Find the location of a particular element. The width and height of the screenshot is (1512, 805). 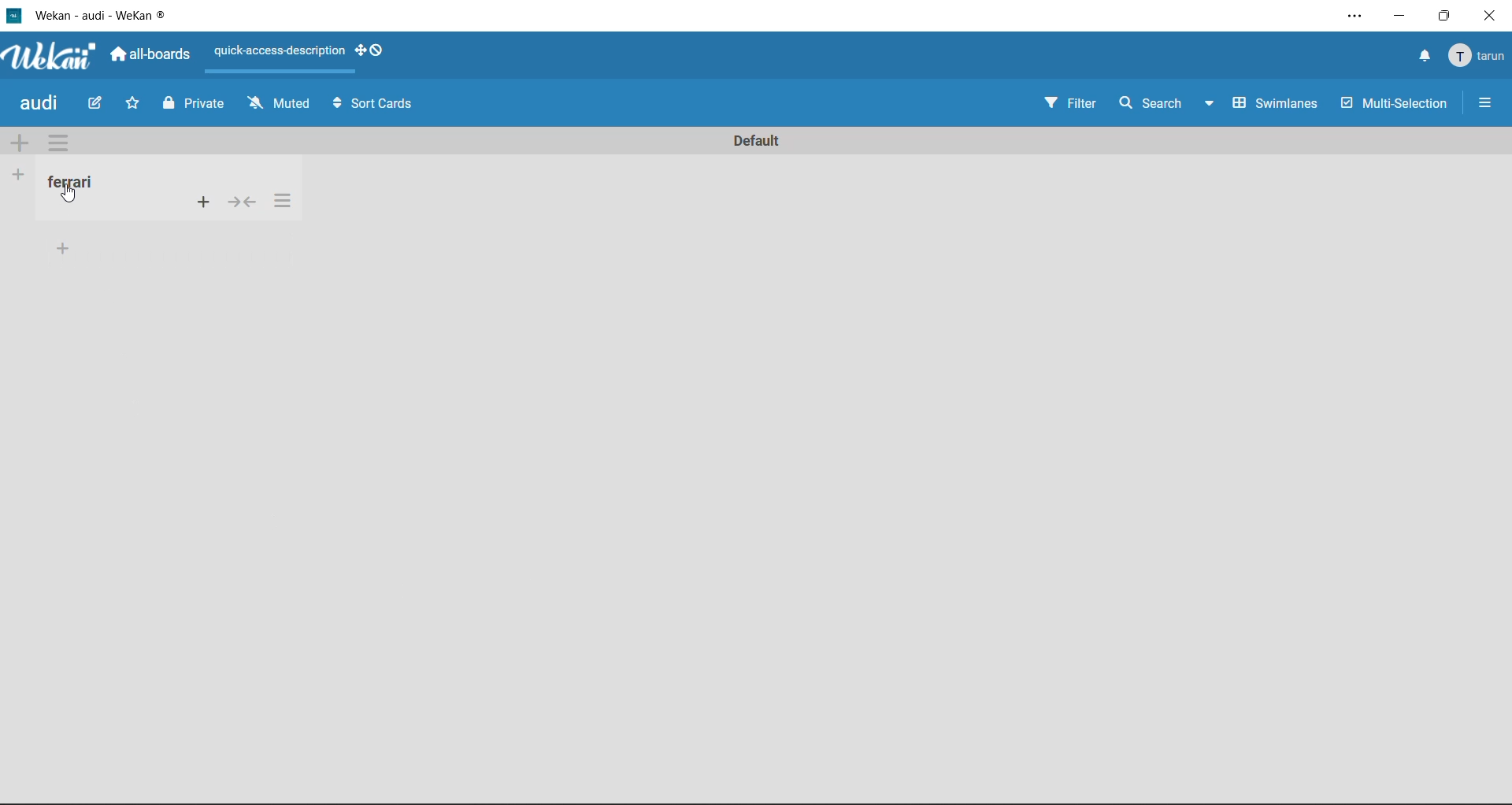

Muted is located at coordinates (279, 104).